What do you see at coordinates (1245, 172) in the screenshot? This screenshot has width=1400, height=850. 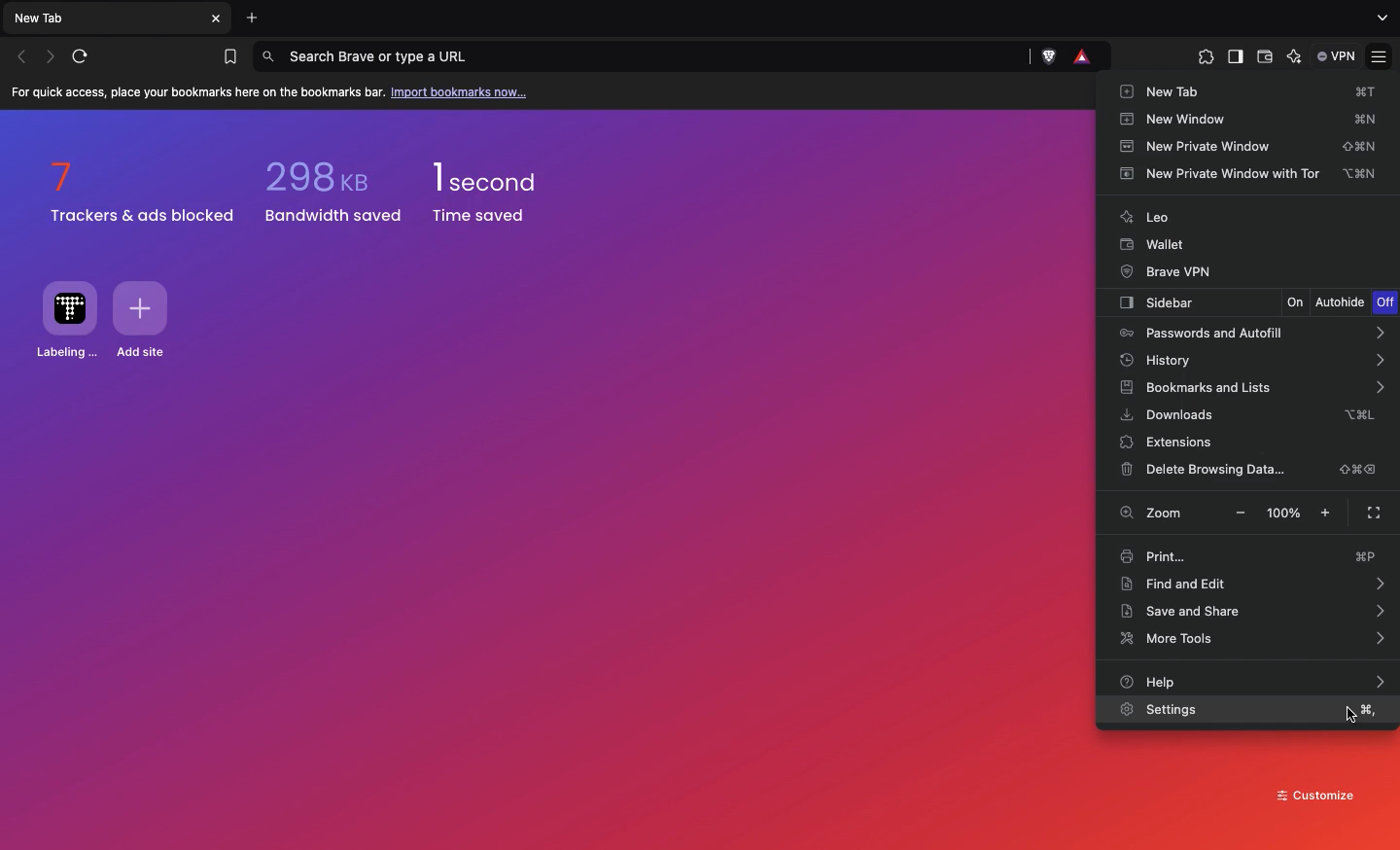 I see `New private window with Tor` at bounding box center [1245, 172].